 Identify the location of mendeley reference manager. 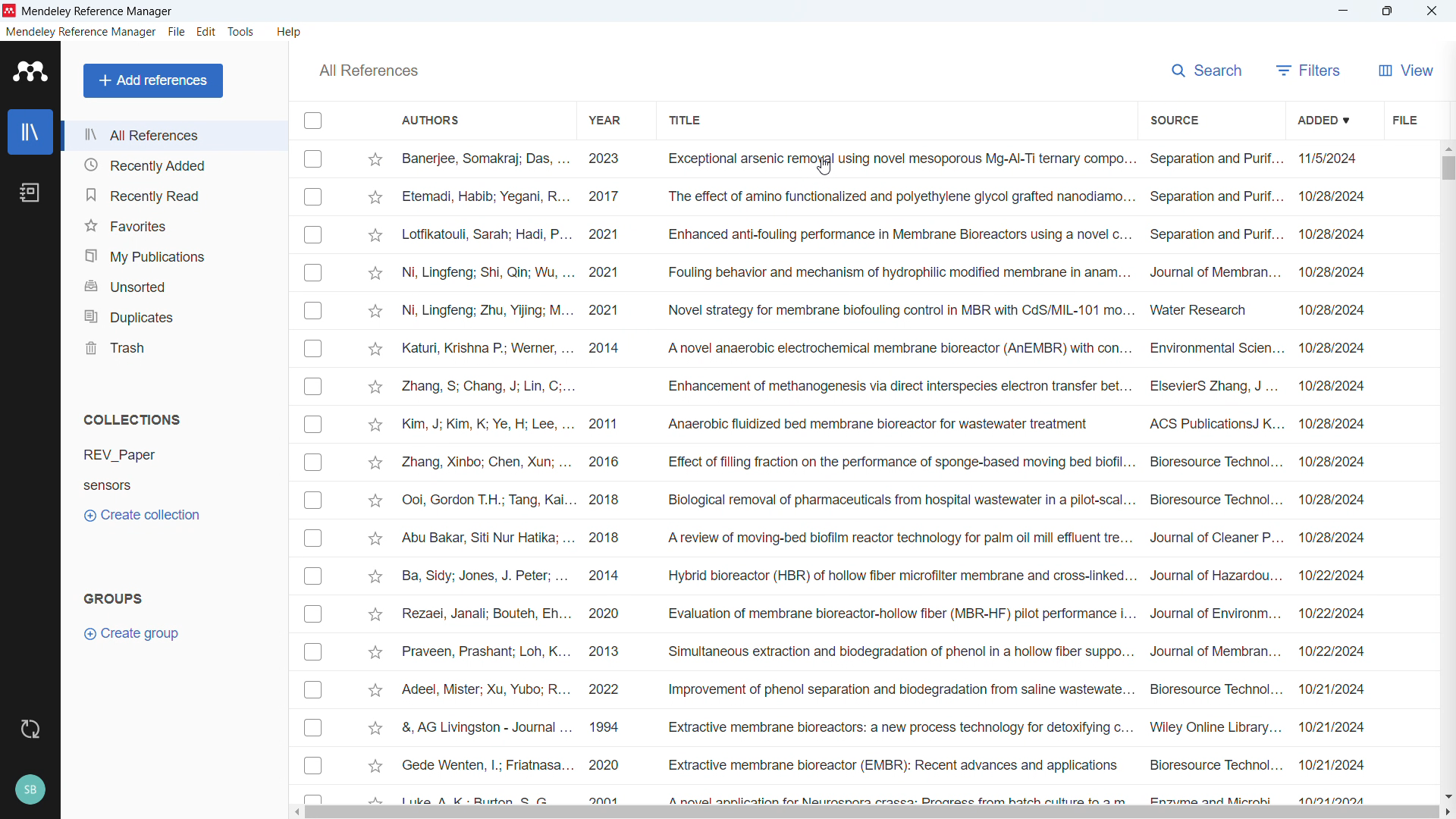
(104, 10).